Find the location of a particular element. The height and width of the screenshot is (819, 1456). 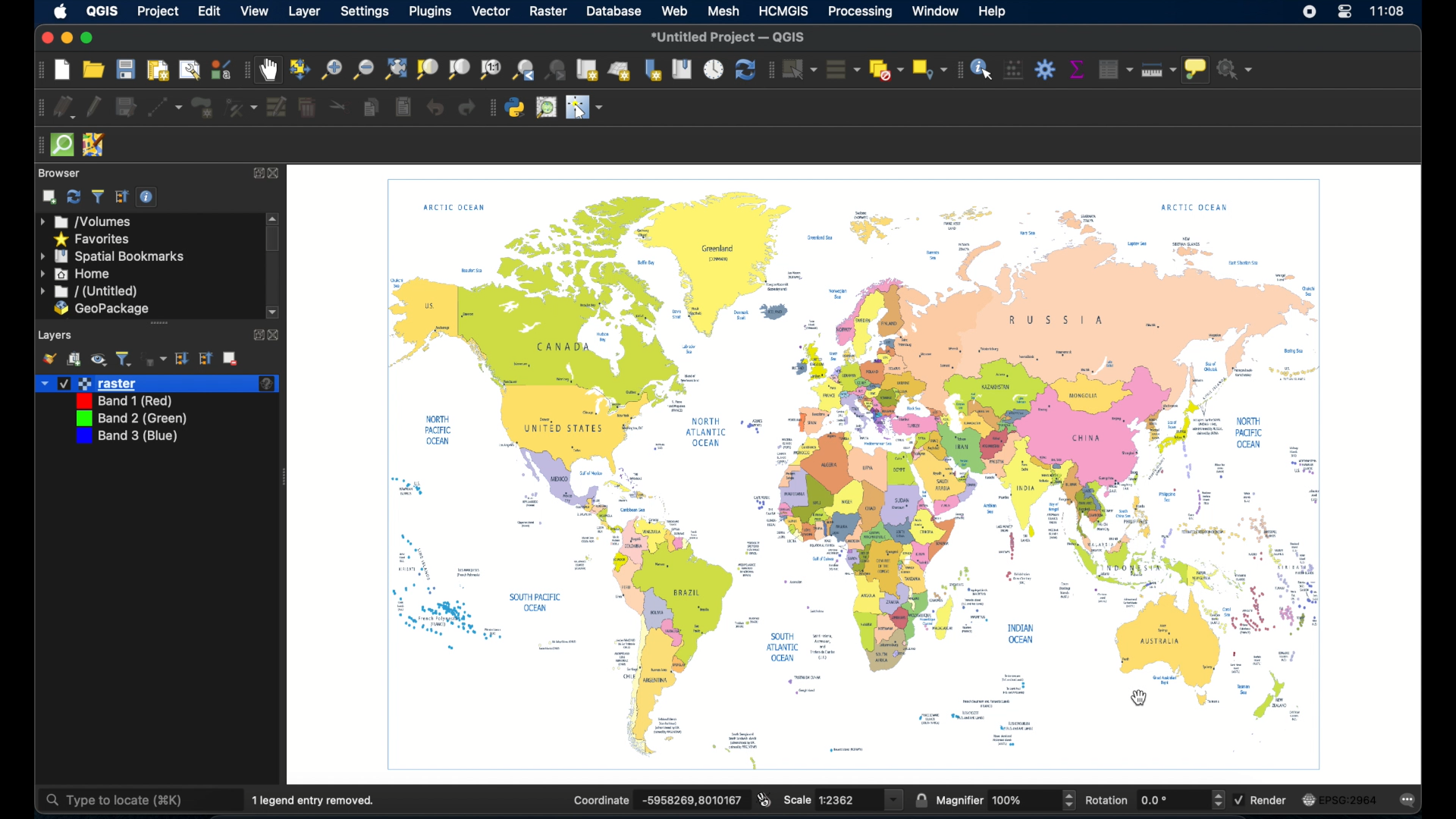

manage map theme is located at coordinates (99, 361).